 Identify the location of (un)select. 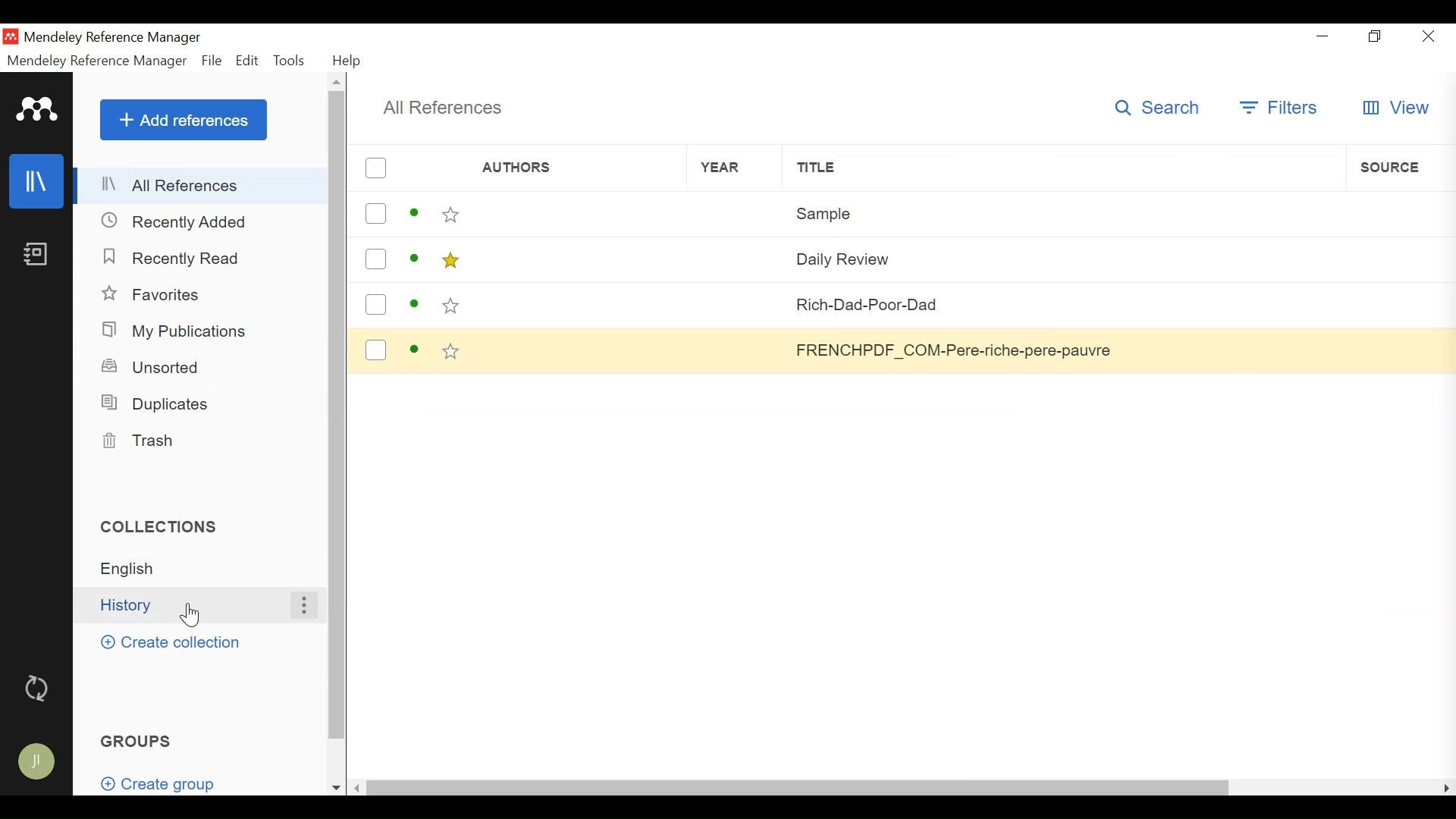
(375, 168).